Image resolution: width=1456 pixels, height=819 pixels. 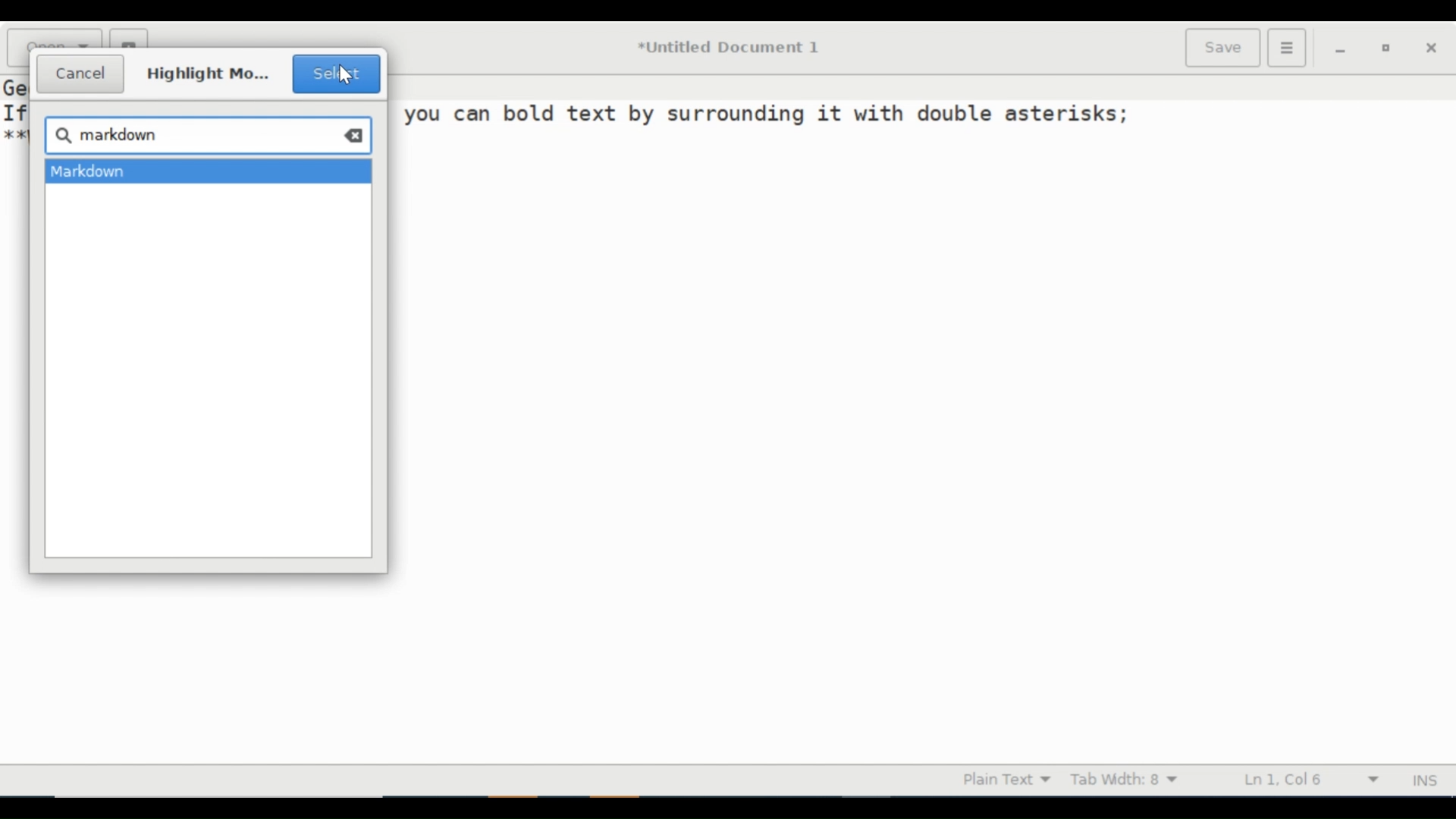 What do you see at coordinates (1221, 47) in the screenshot?
I see `Save` at bounding box center [1221, 47].